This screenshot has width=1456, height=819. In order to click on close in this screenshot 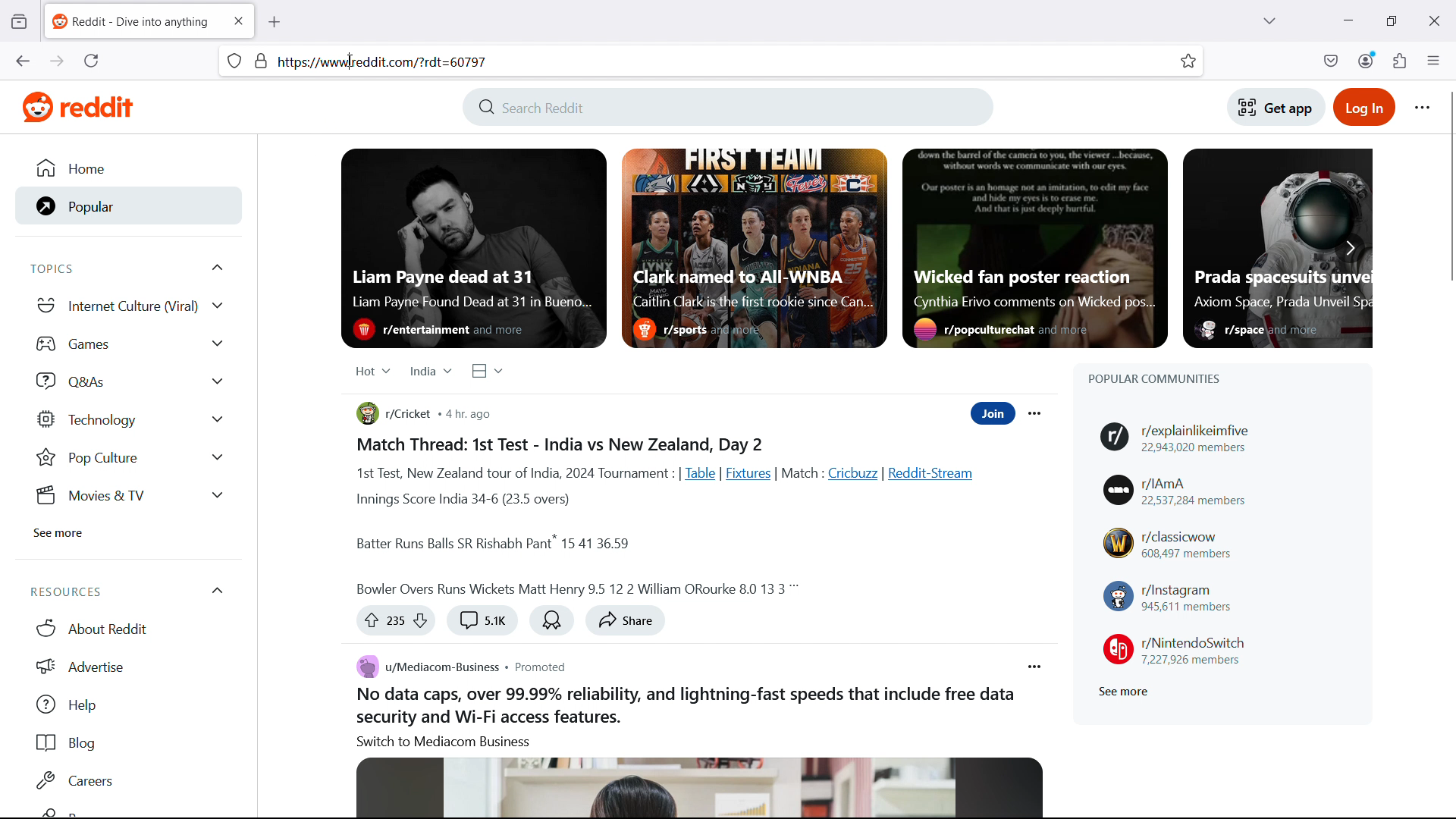, I will do `click(1432, 19)`.